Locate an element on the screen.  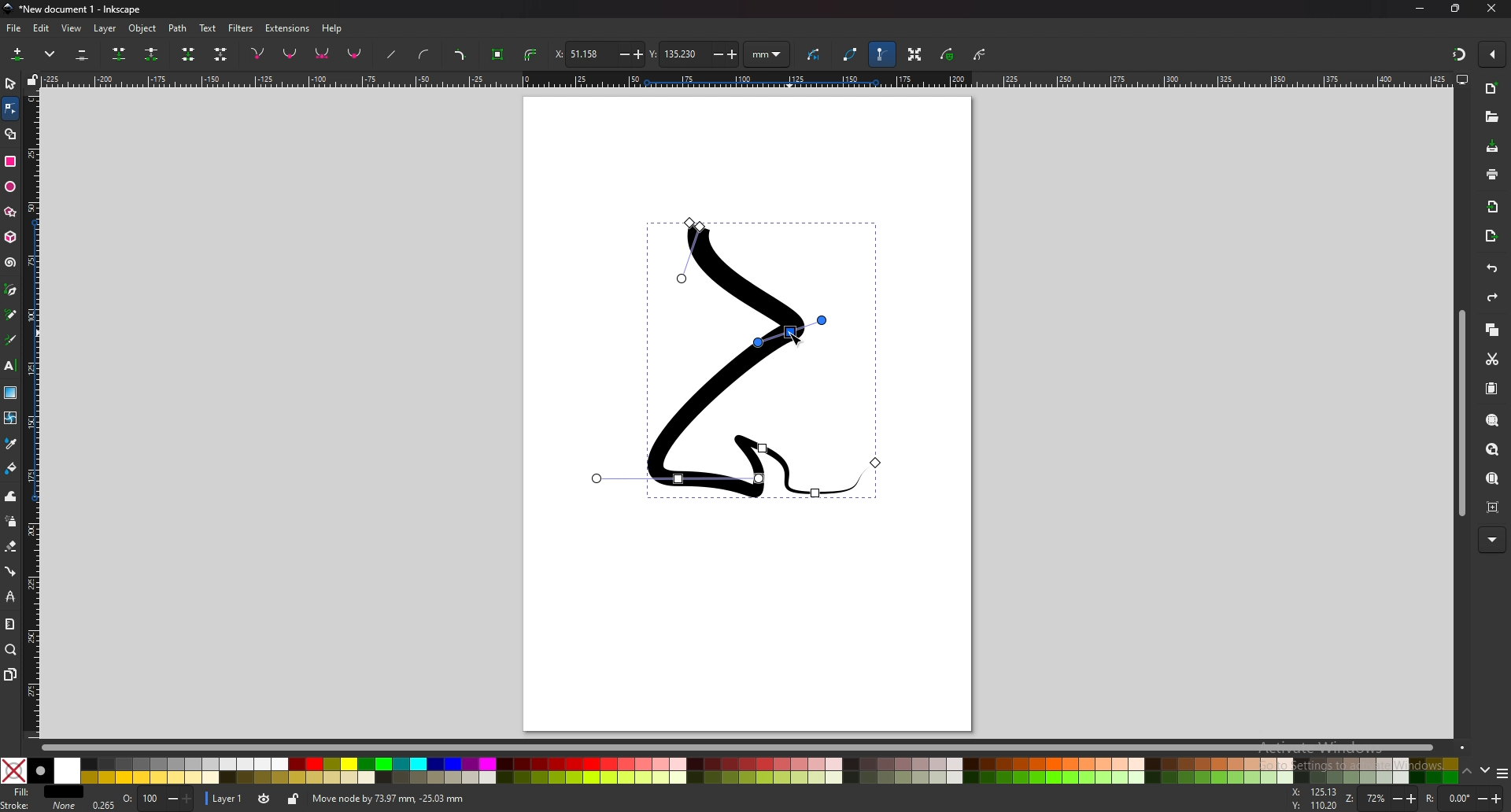
file is located at coordinates (14, 28).